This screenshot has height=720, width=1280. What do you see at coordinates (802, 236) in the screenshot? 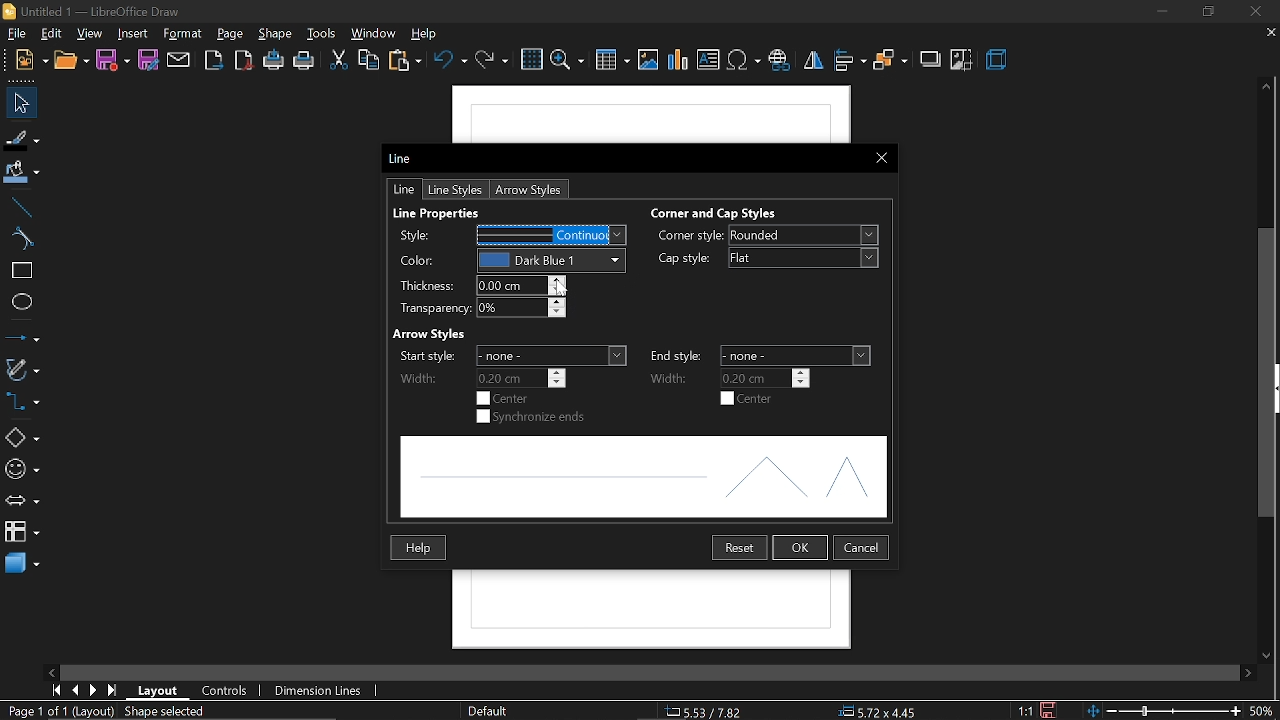
I see `corner style` at bounding box center [802, 236].